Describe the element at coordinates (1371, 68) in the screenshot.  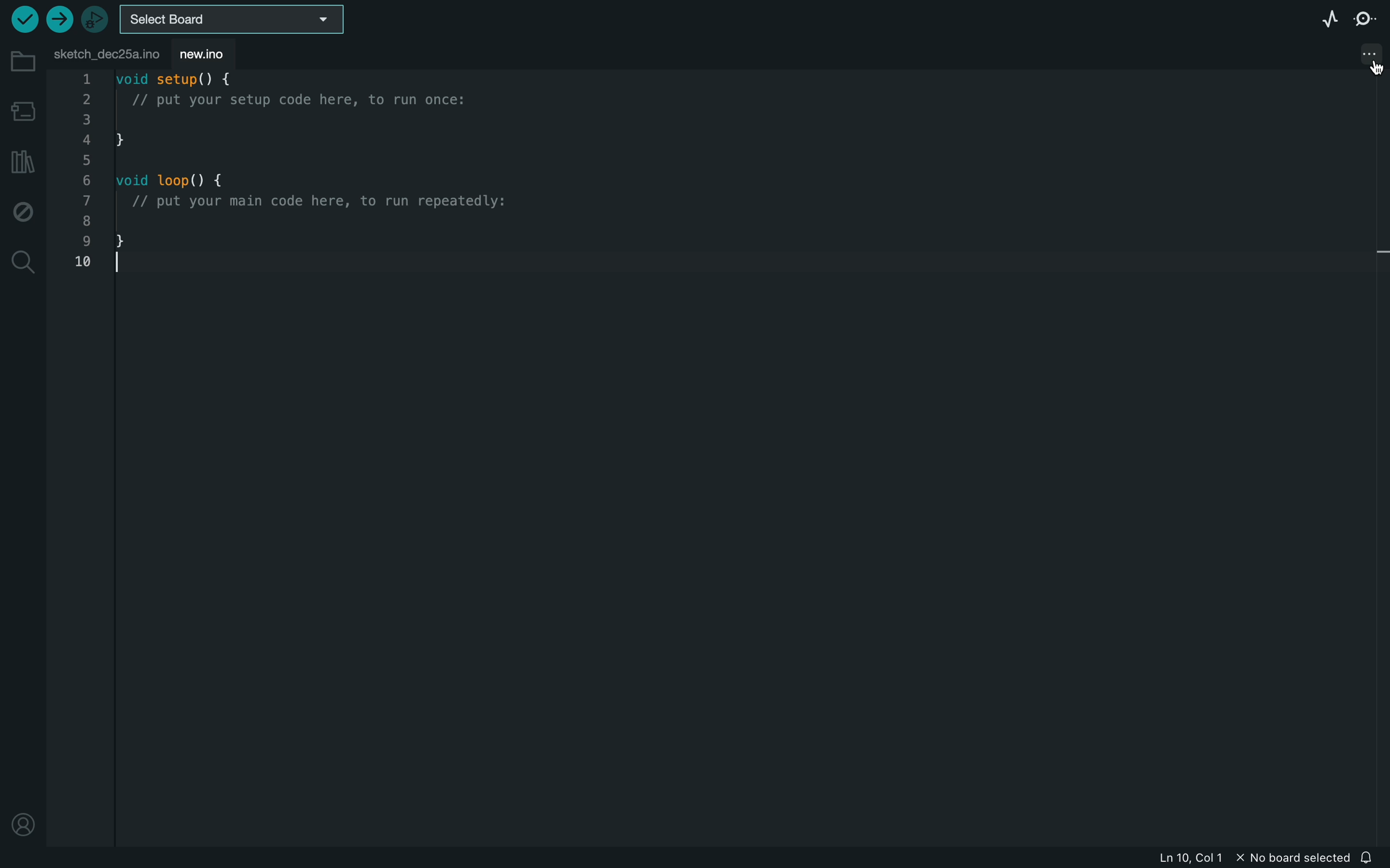
I see `curser` at that location.